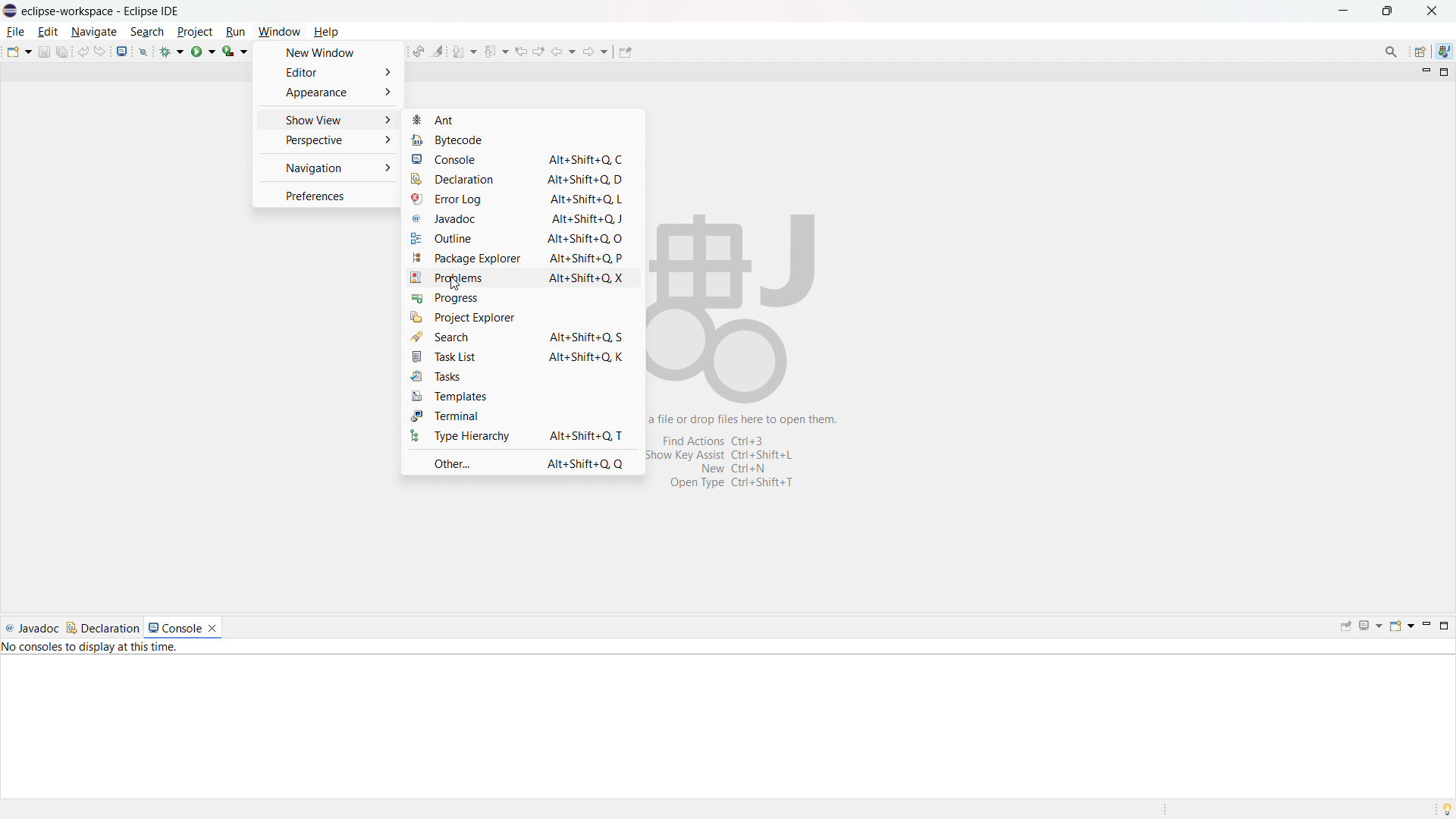 Image resolution: width=1456 pixels, height=819 pixels. What do you see at coordinates (17, 52) in the screenshot?
I see `new` at bounding box center [17, 52].